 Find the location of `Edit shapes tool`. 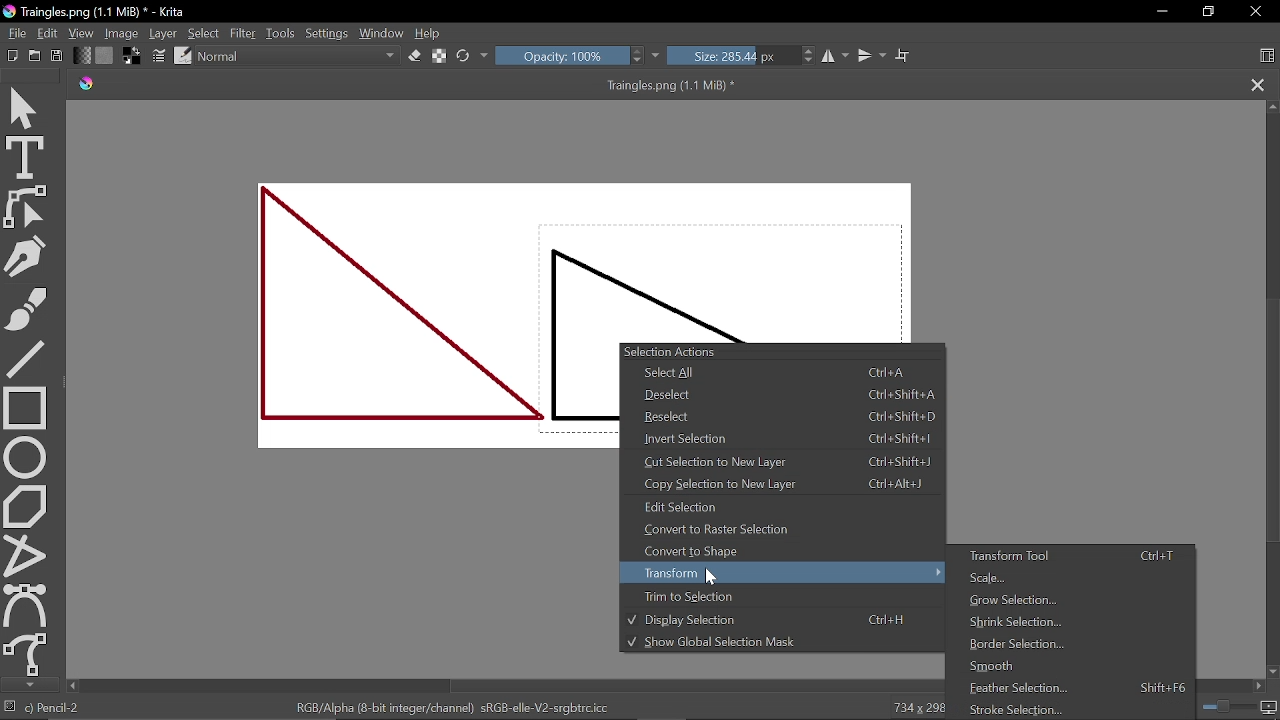

Edit shapes tool is located at coordinates (26, 206).